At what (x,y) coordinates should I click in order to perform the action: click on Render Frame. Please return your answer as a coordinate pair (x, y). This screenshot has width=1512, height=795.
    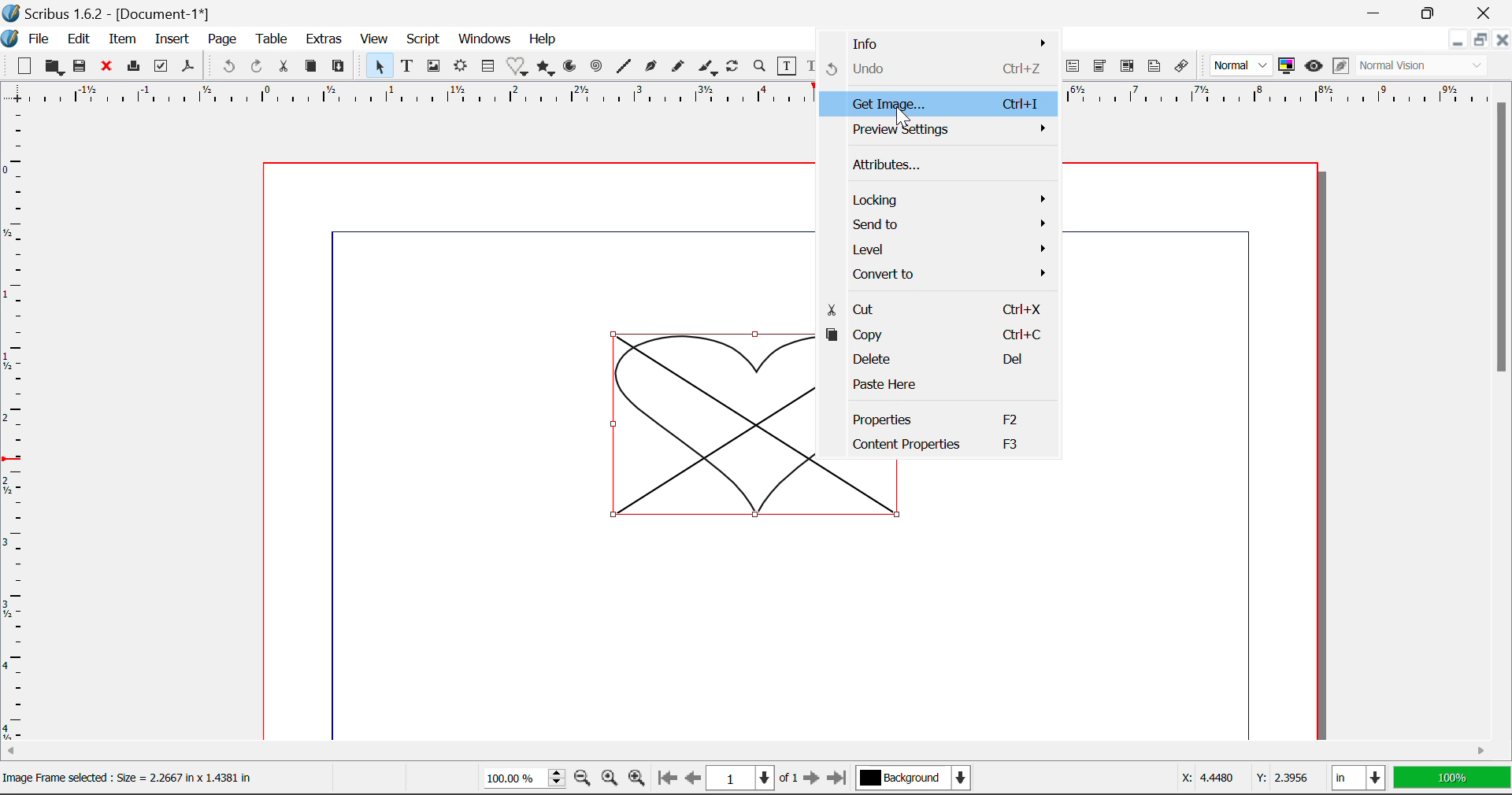
    Looking at the image, I should click on (461, 67).